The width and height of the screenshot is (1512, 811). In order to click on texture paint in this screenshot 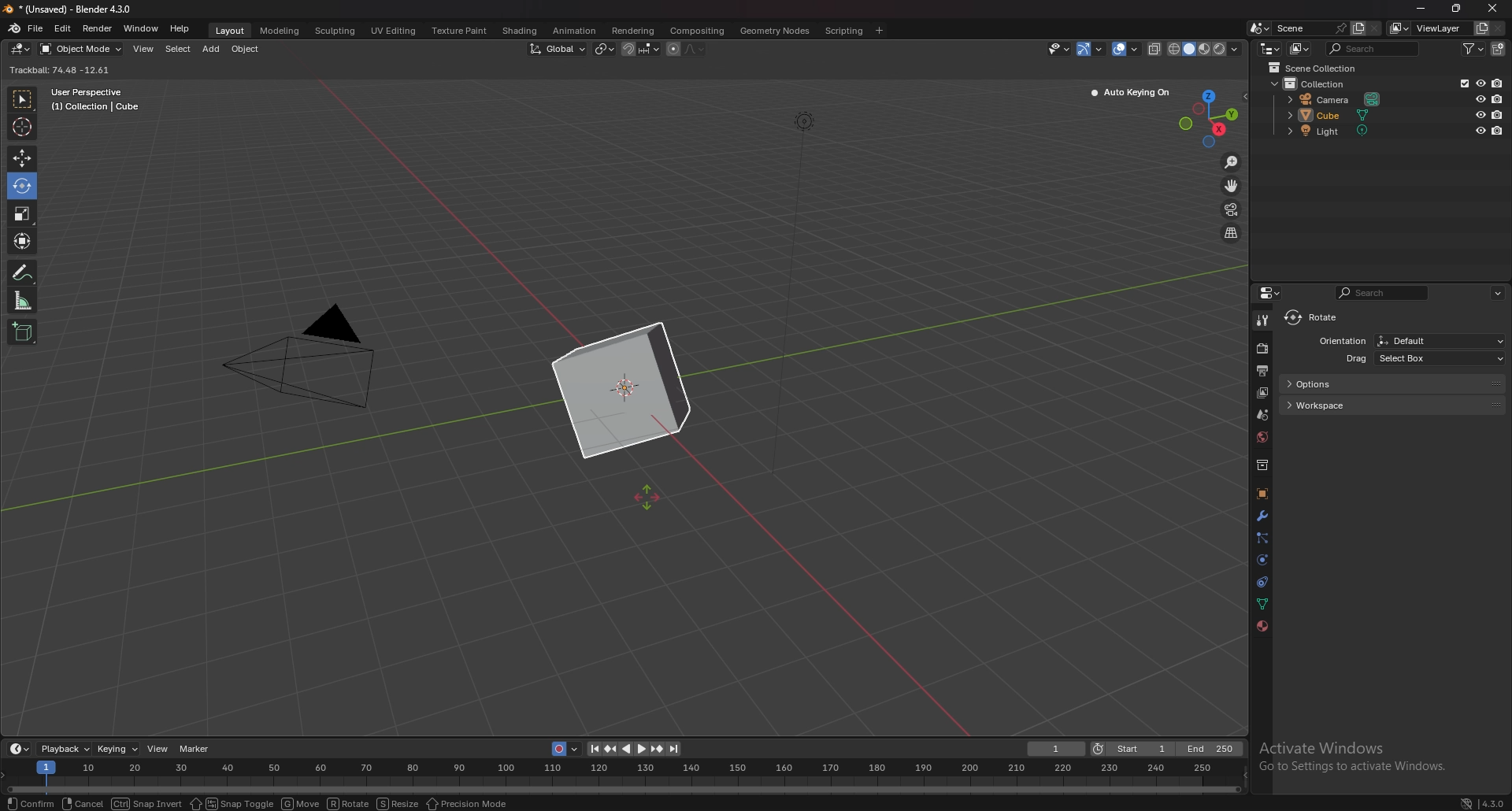, I will do `click(461, 31)`.